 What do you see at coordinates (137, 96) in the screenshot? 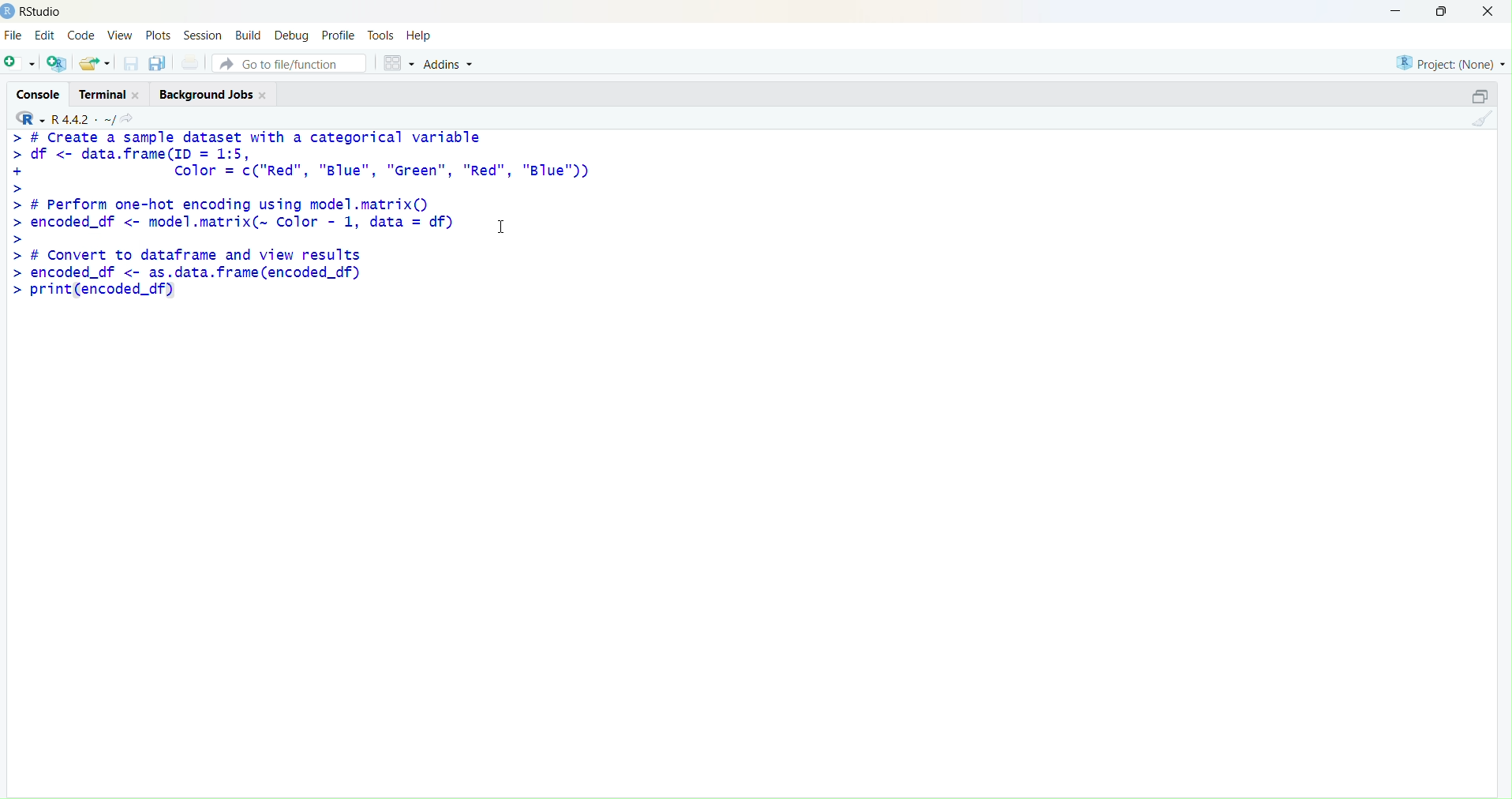
I see `close` at bounding box center [137, 96].